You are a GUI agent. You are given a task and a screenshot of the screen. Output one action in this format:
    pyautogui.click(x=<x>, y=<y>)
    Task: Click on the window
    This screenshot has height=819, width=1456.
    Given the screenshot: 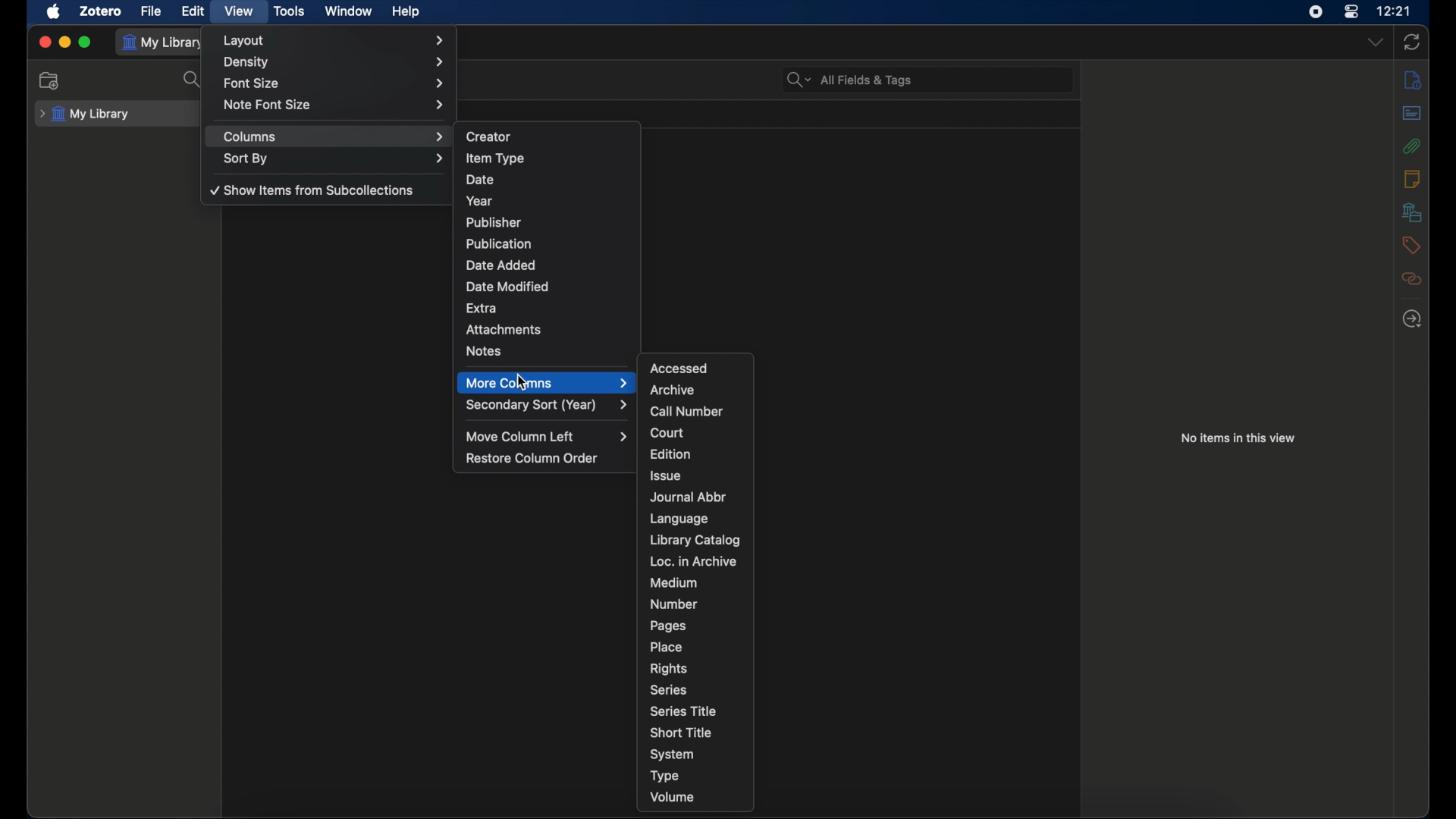 What is the action you would take?
    pyautogui.click(x=349, y=11)
    